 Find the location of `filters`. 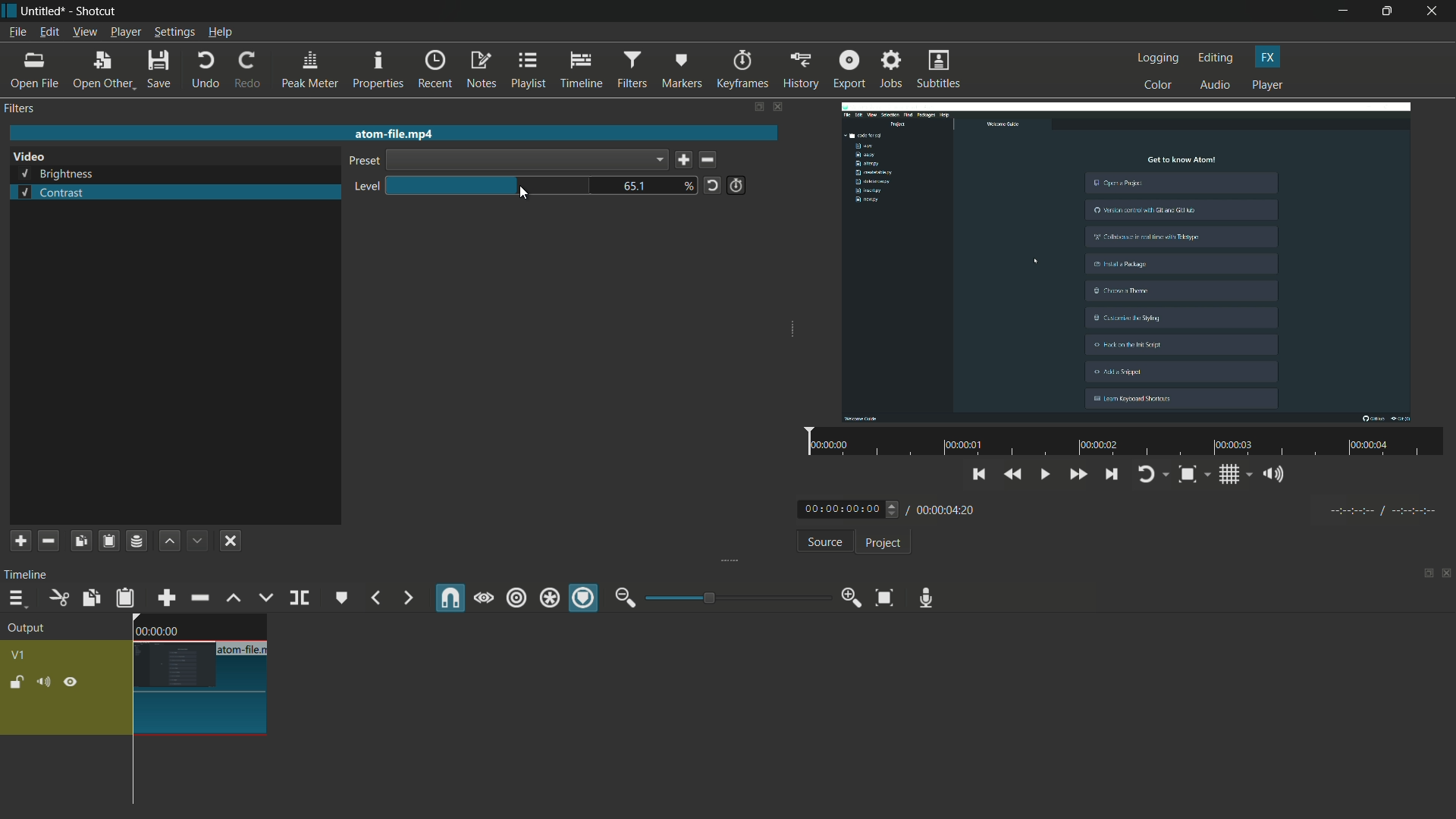

filters is located at coordinates (21, 108).